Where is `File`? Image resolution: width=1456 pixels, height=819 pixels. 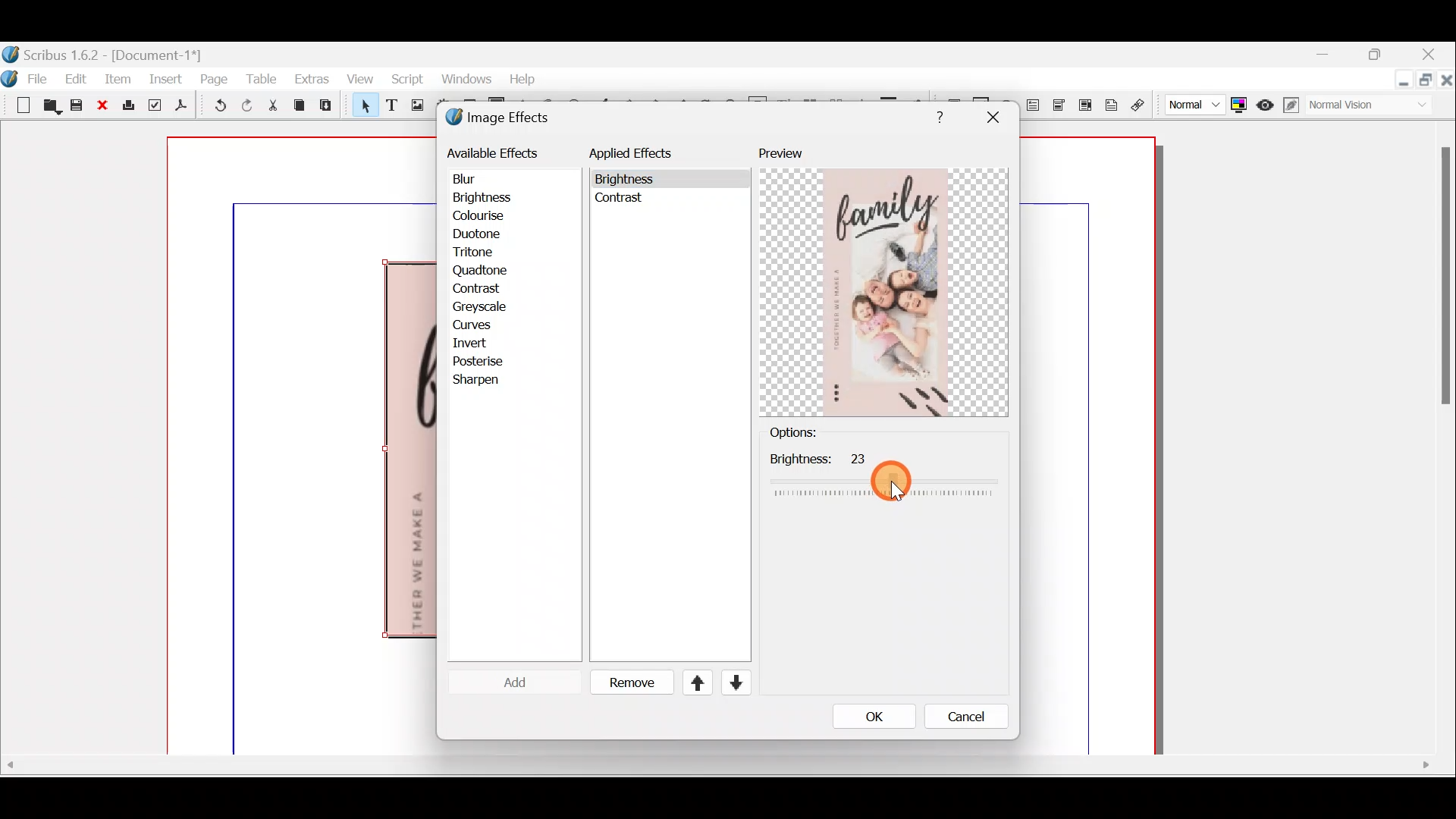
File is located at coordinates (42, 77).